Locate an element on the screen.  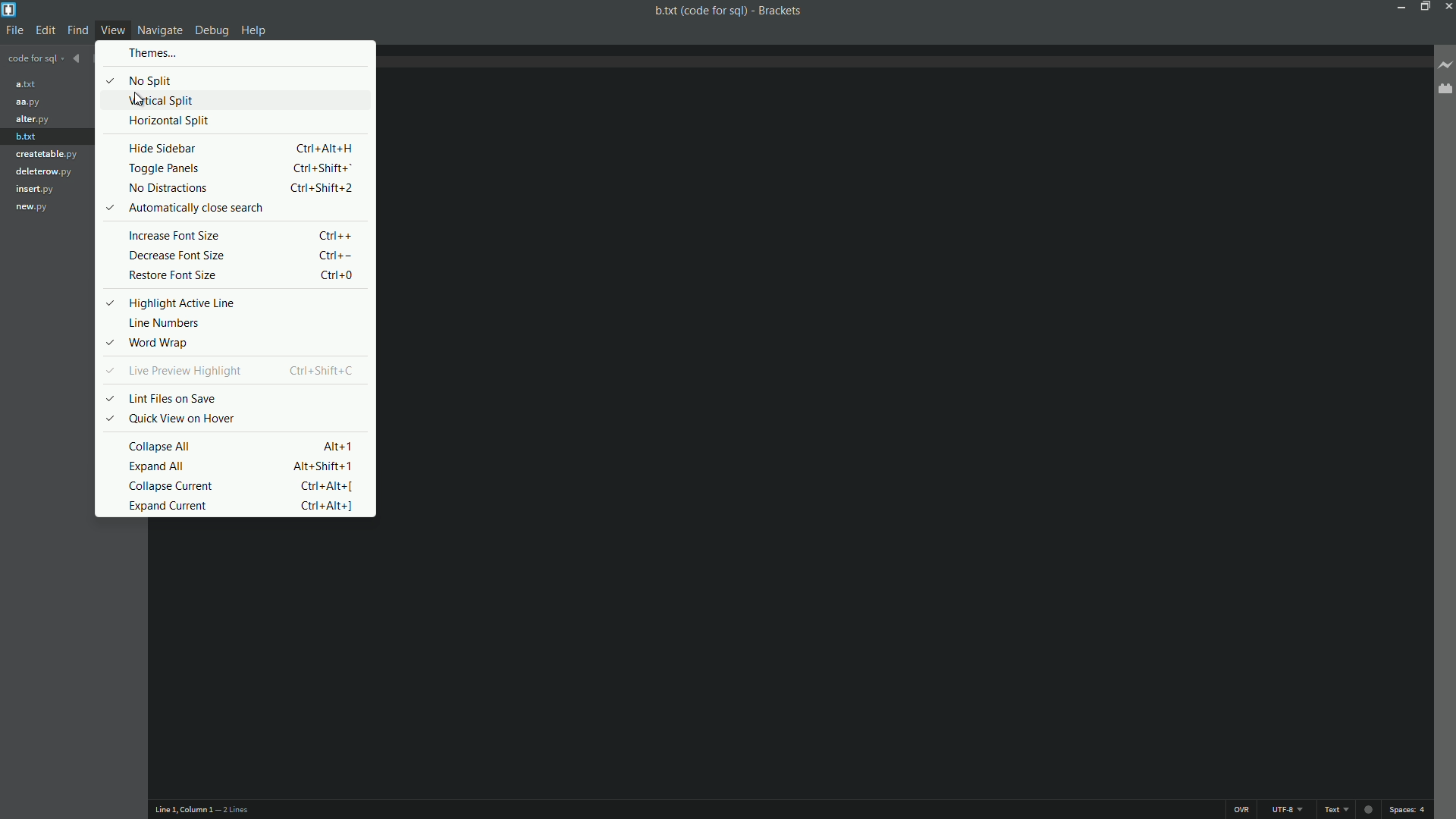
lint files on save is located at coordinates (245, 399).